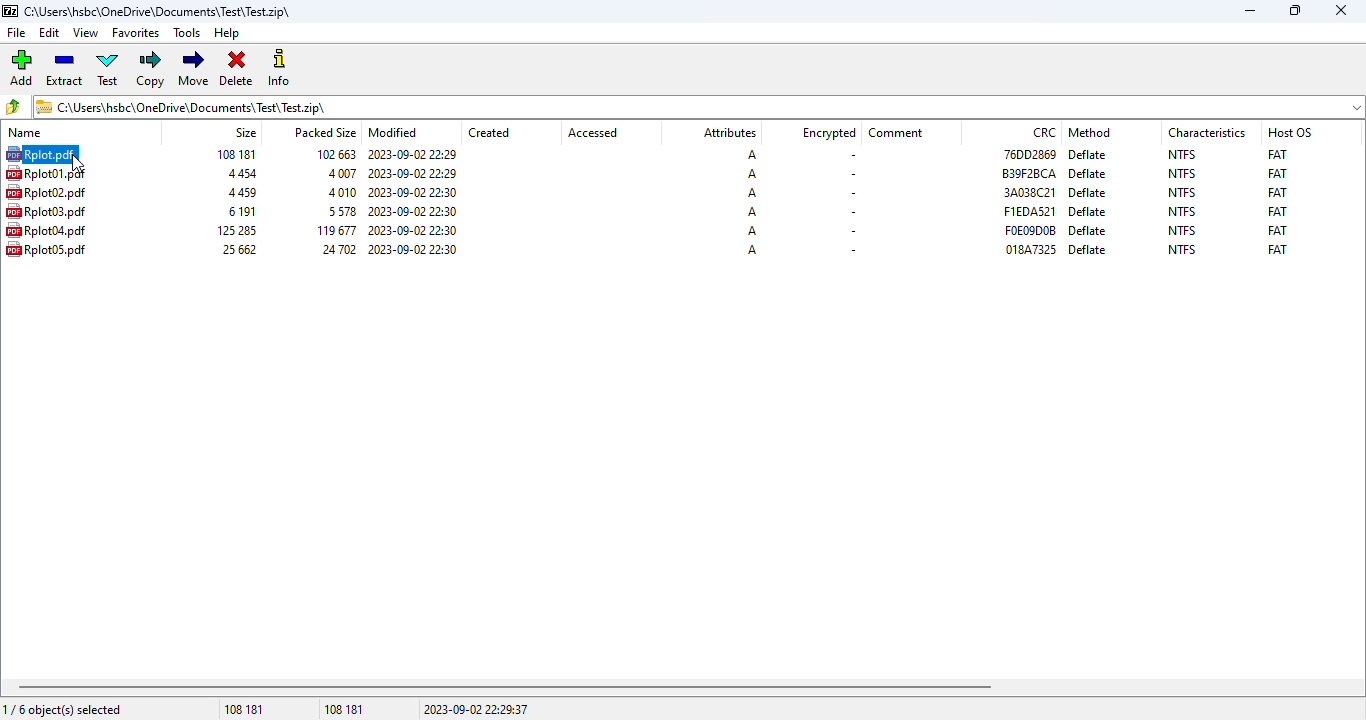 The width and height of the screenshot is (1366, 720). I want to click on FAT, so click(1277, 249).